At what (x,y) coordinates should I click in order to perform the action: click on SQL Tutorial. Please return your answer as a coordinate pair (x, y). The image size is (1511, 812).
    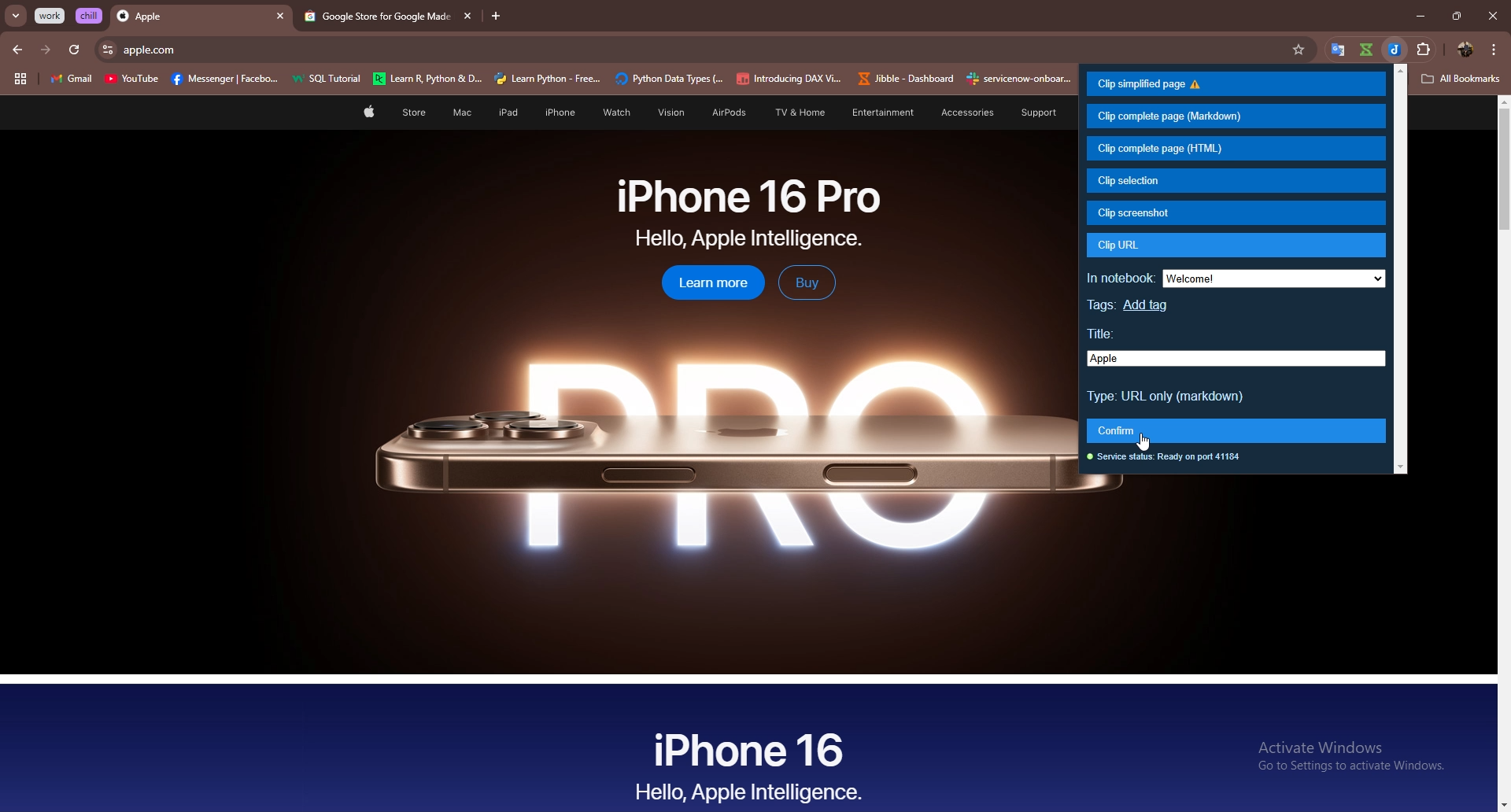
    Looking at the image, I should click on (331, 80).